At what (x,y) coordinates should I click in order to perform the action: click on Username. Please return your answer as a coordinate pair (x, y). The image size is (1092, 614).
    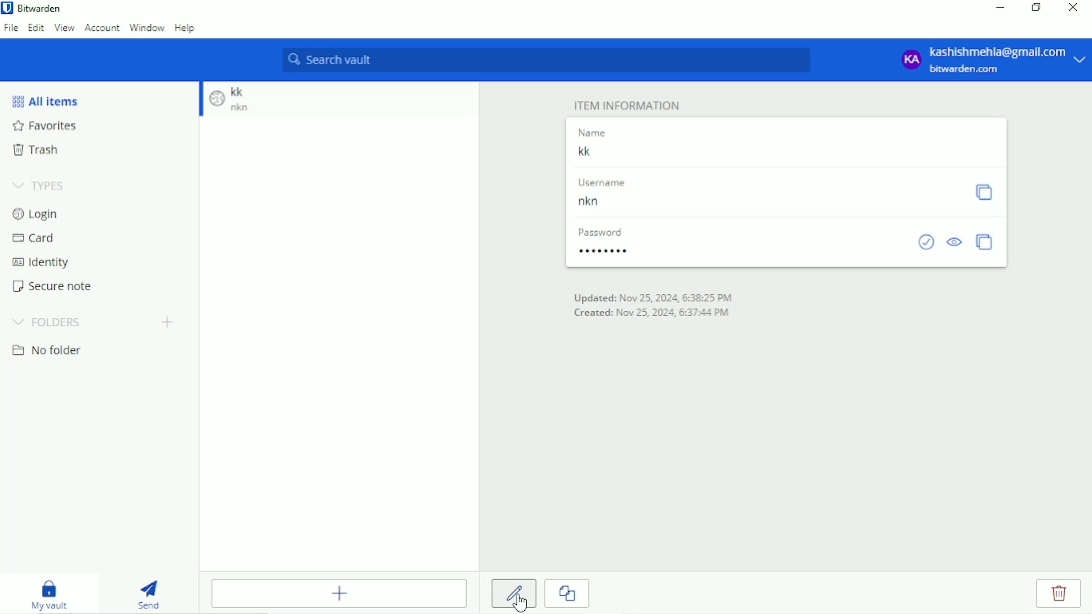
    Looking at the image, I should click on (604, 203).